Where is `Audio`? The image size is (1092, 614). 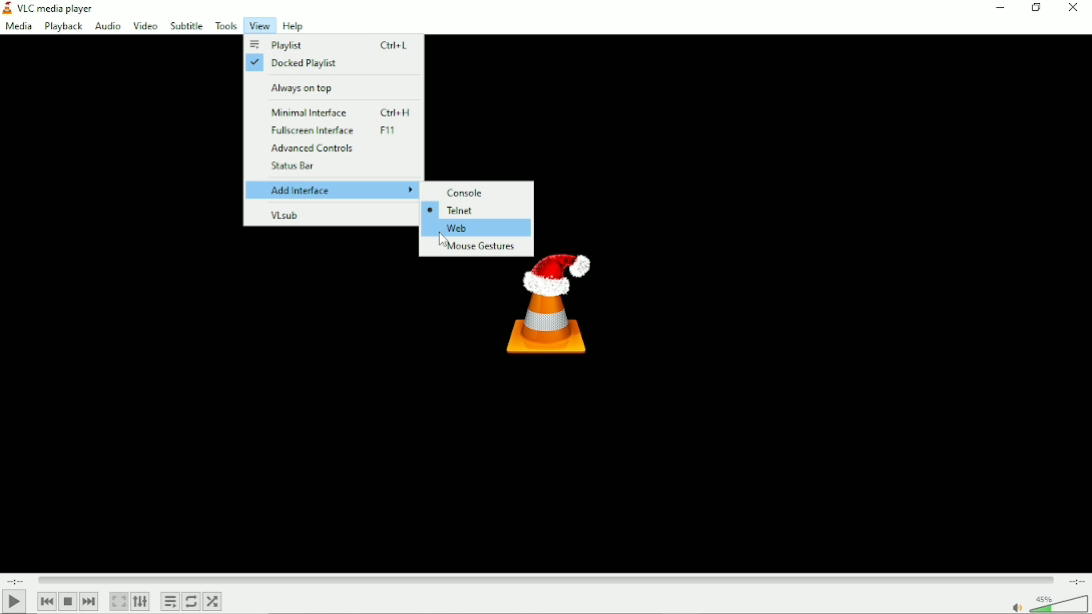
Audio is located at coordinates (106, 26).